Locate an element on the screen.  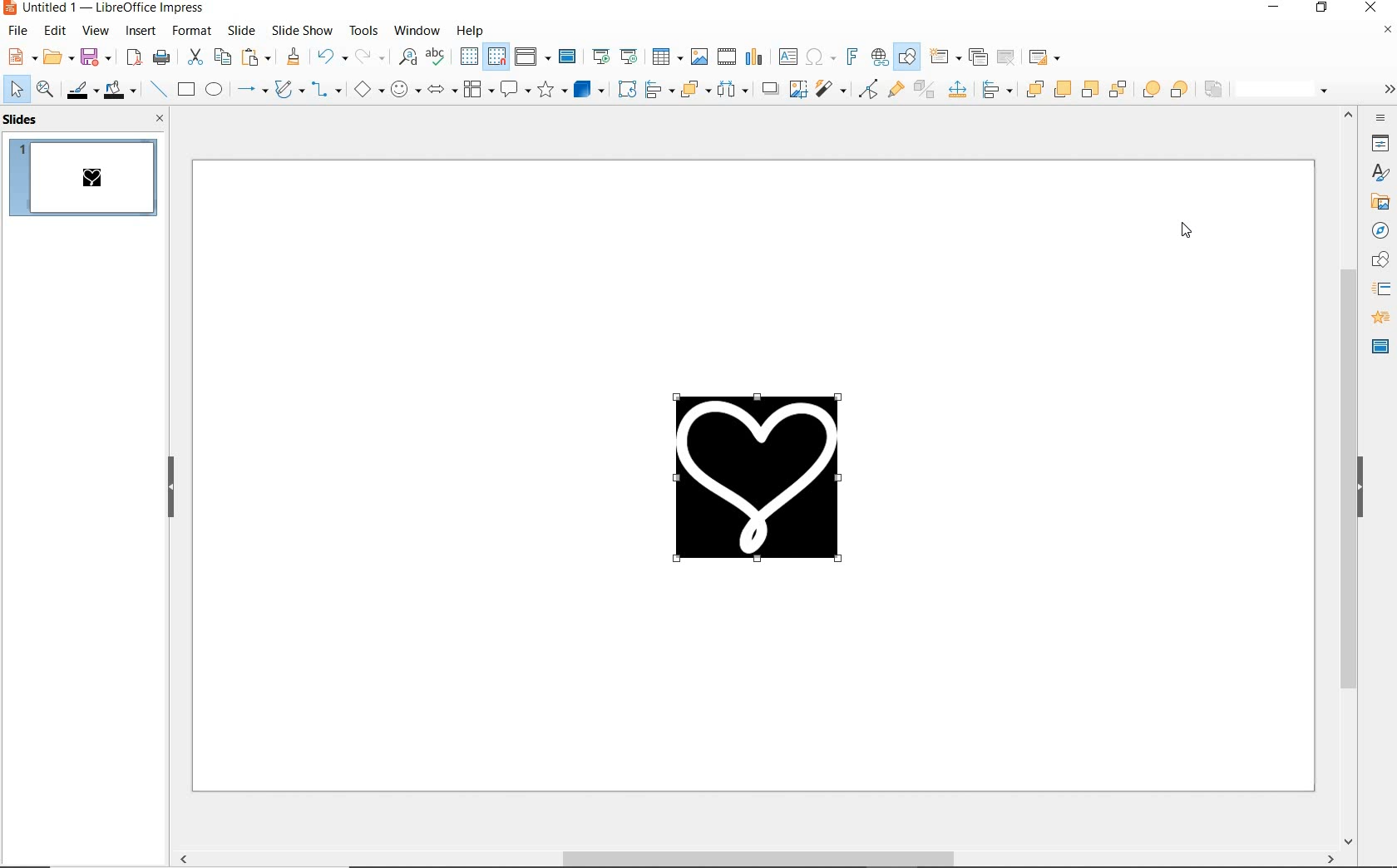
filter is located at coordinates (1383, 27).